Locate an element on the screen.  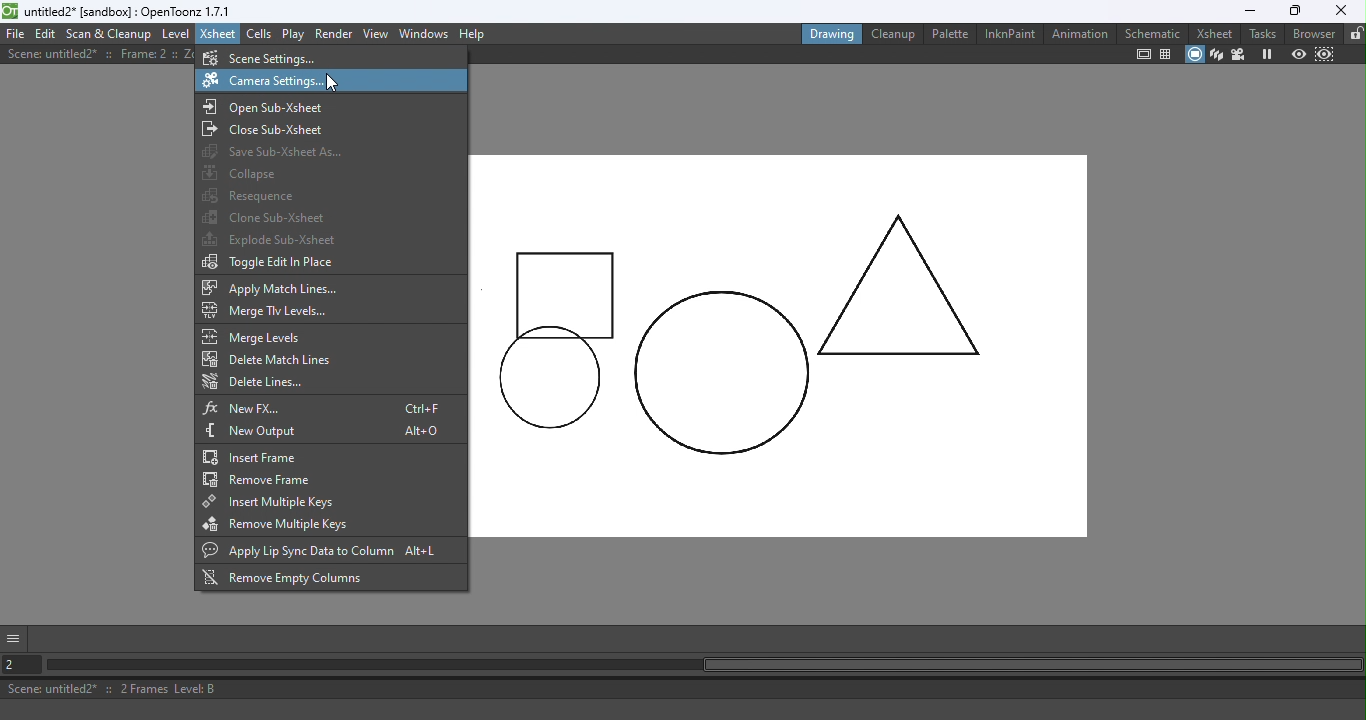
Xsheet is located at coordinates (1213, 33).